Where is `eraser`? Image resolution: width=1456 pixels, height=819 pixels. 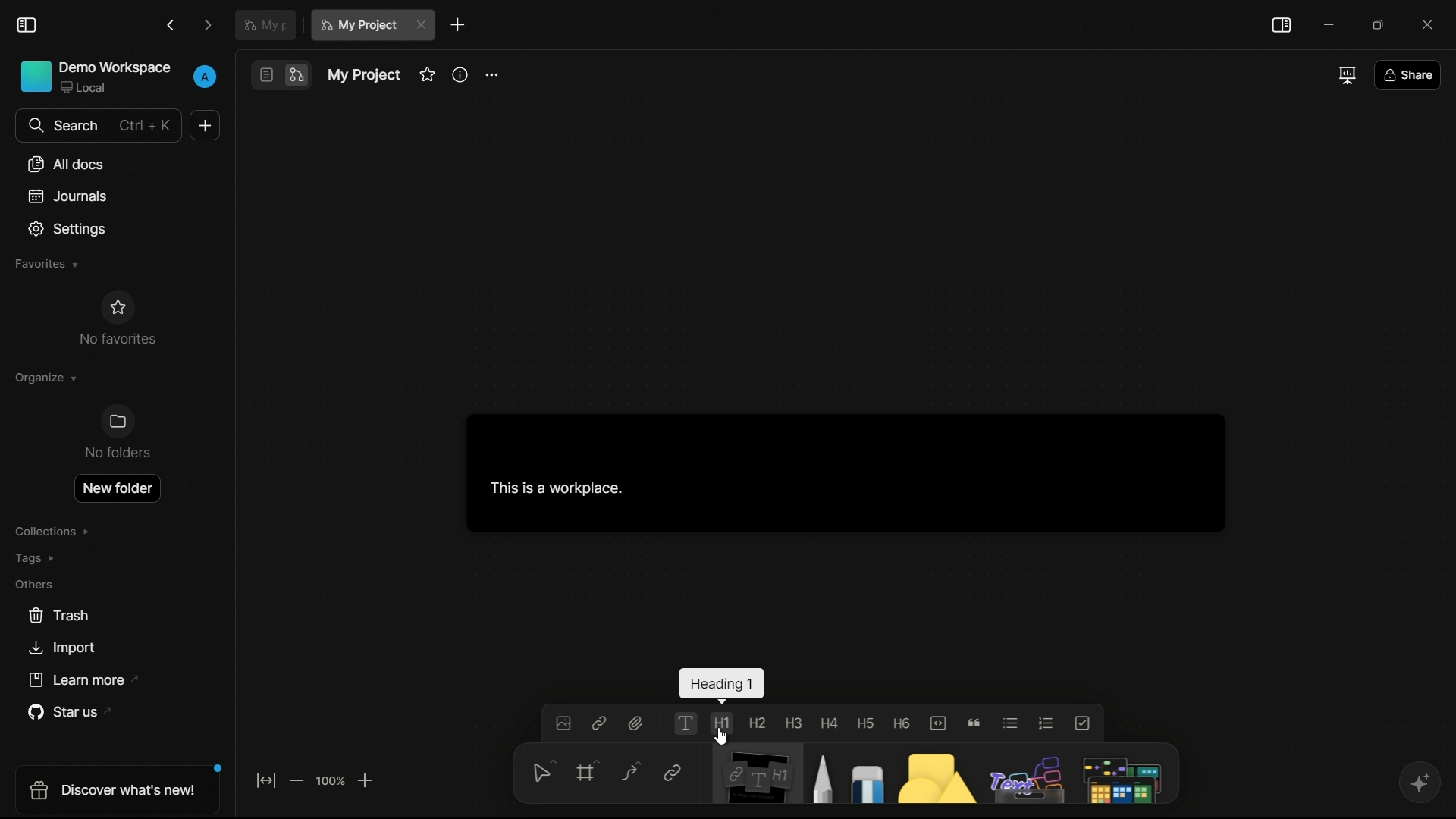
eraser is located at coordinates (863, 773).